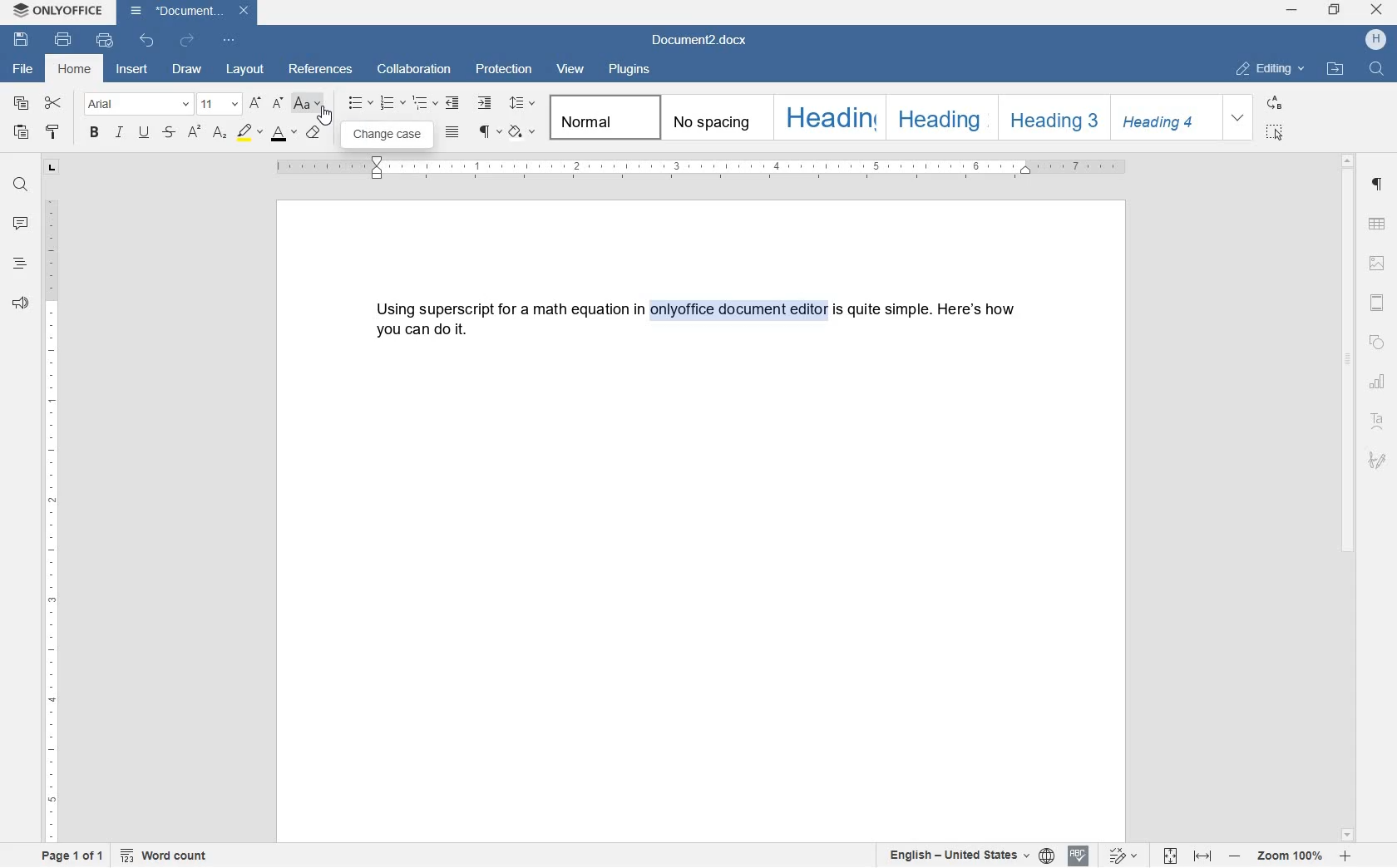 The width and height of the screenshot is (1397, 868). I want to click on italic, so click(120, 135).